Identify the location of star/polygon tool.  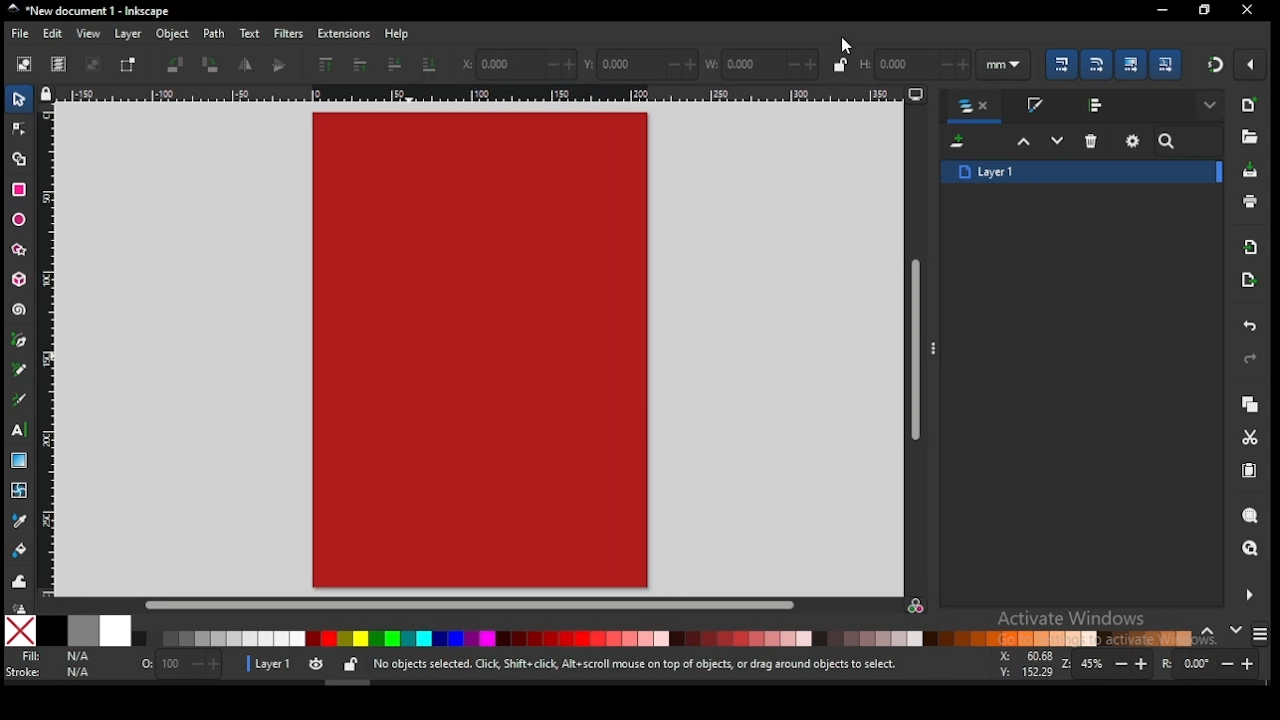
(20, 250).